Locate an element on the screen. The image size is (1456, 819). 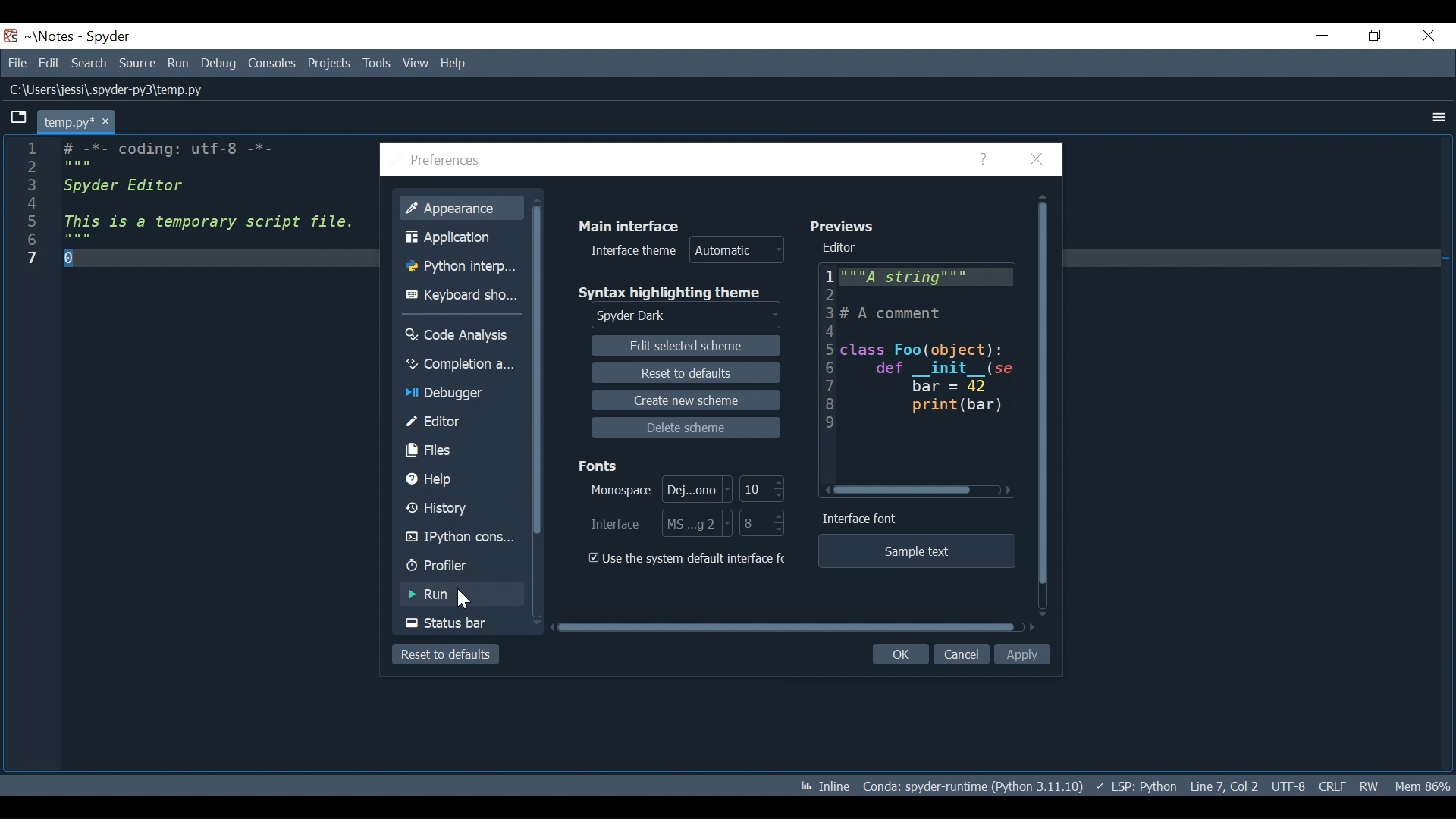
Completion Analysis is located at coordinates (458, 362).